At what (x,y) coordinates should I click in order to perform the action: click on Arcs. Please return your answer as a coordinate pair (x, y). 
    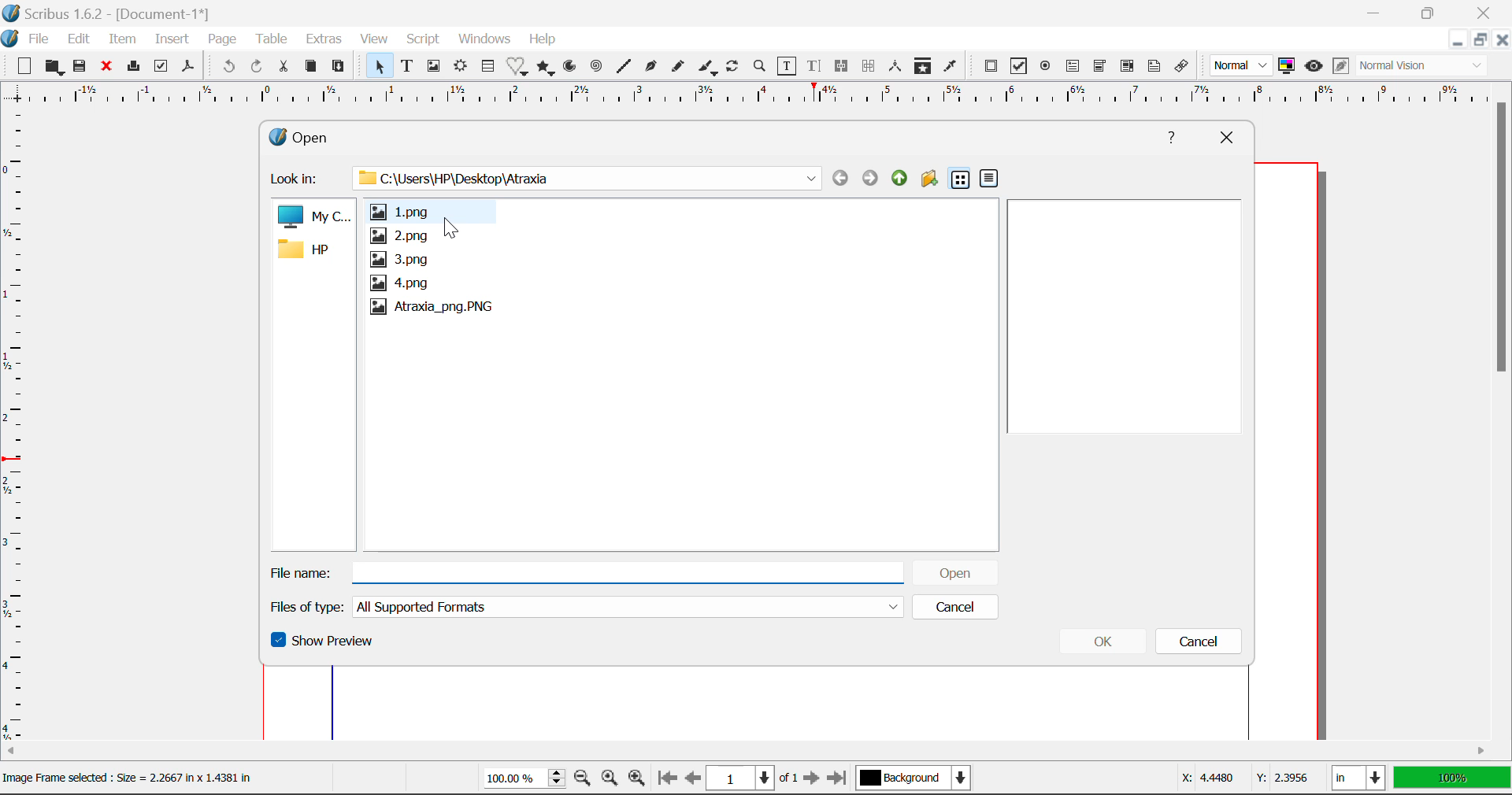
    Looking at the image, I should click on (569, 66).